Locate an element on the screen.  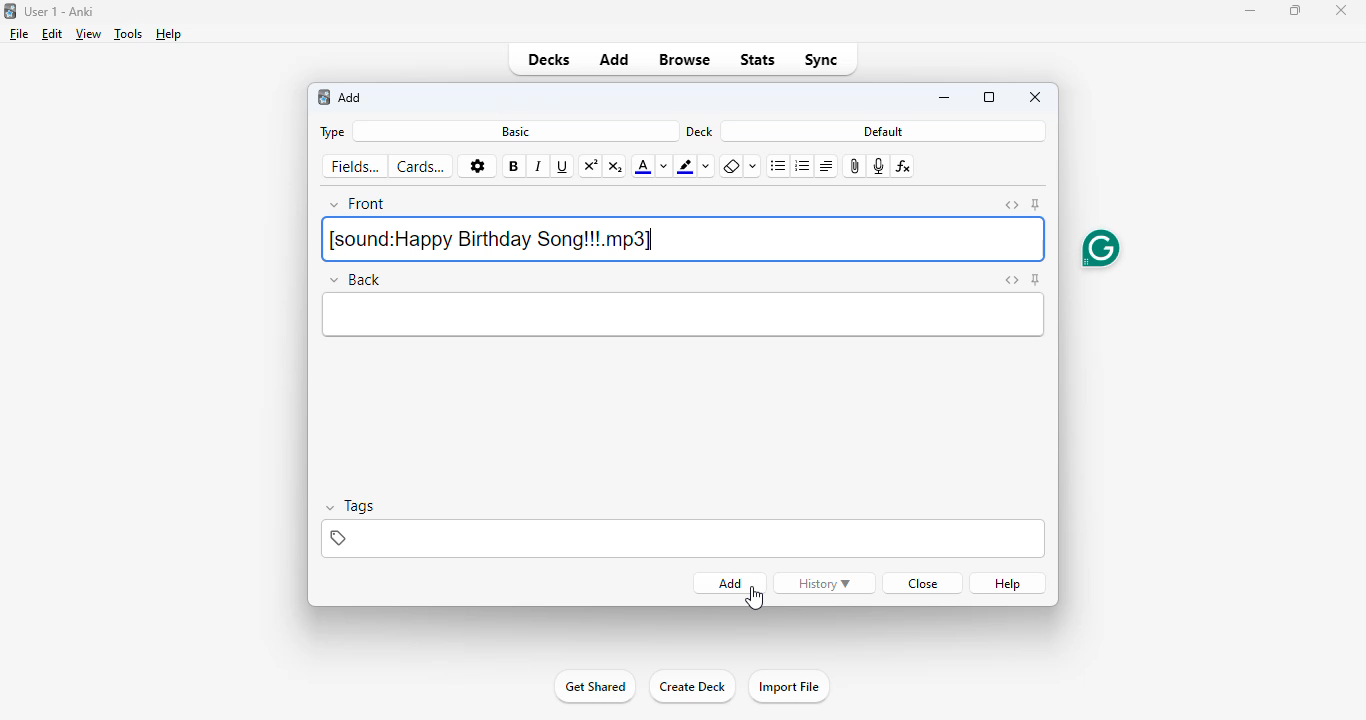
back is located at coordinates (356, 280).